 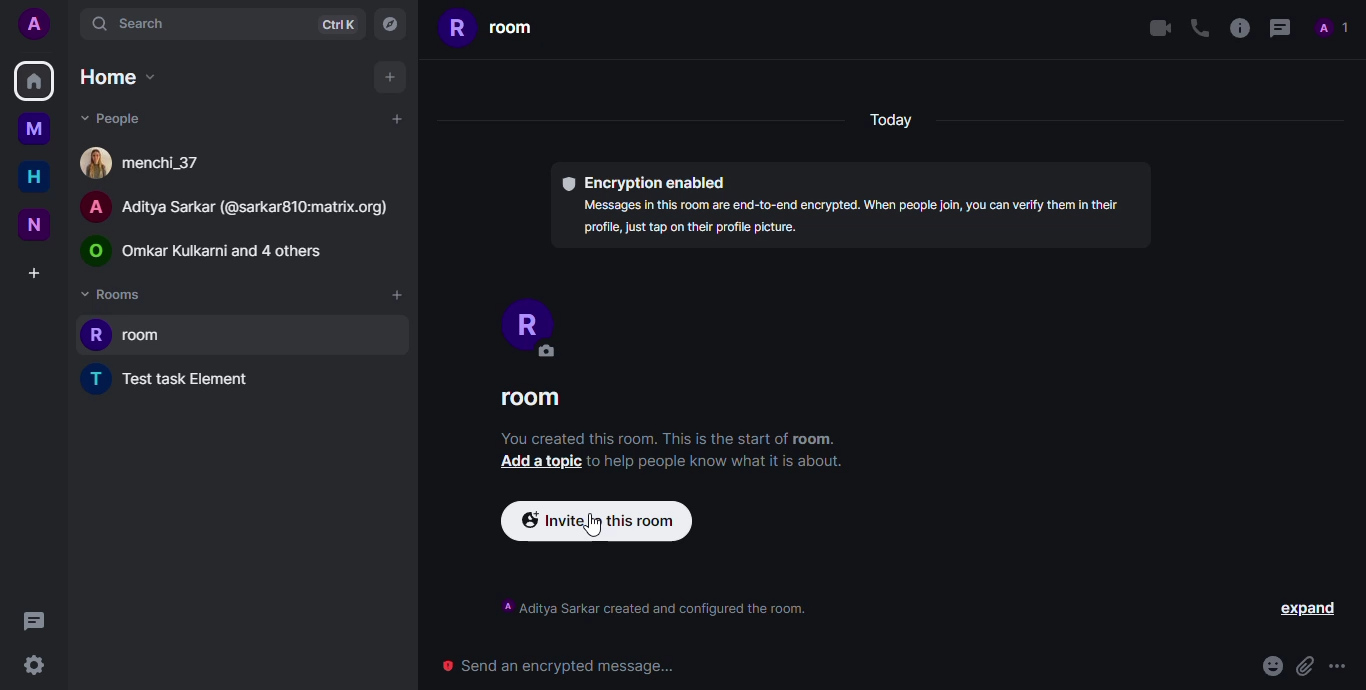 I want to click on emoji, so click(x=1271, y=666).